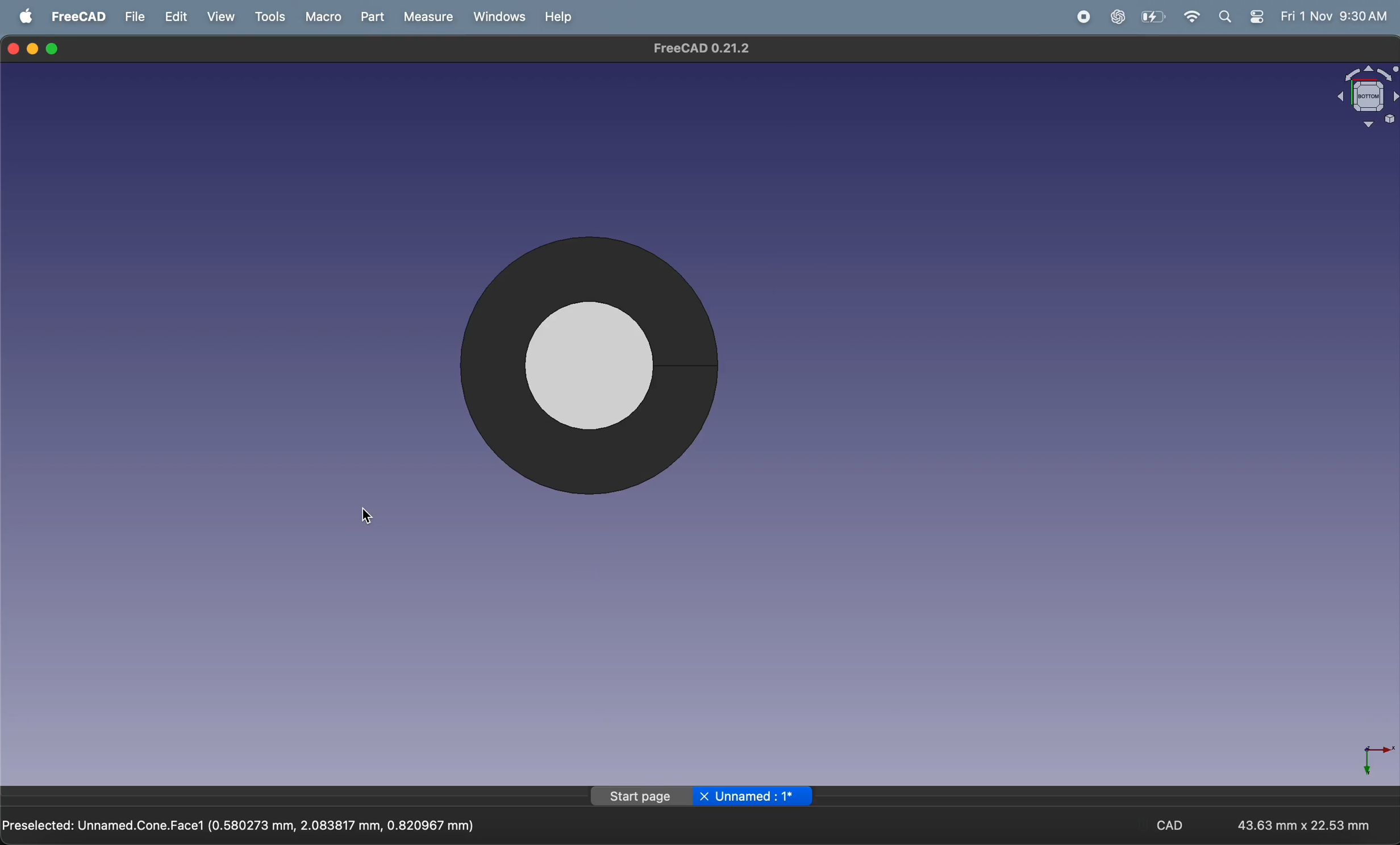 This screenshot has height=845, width=1400. I want to click on wifi, so click(1193, 16).